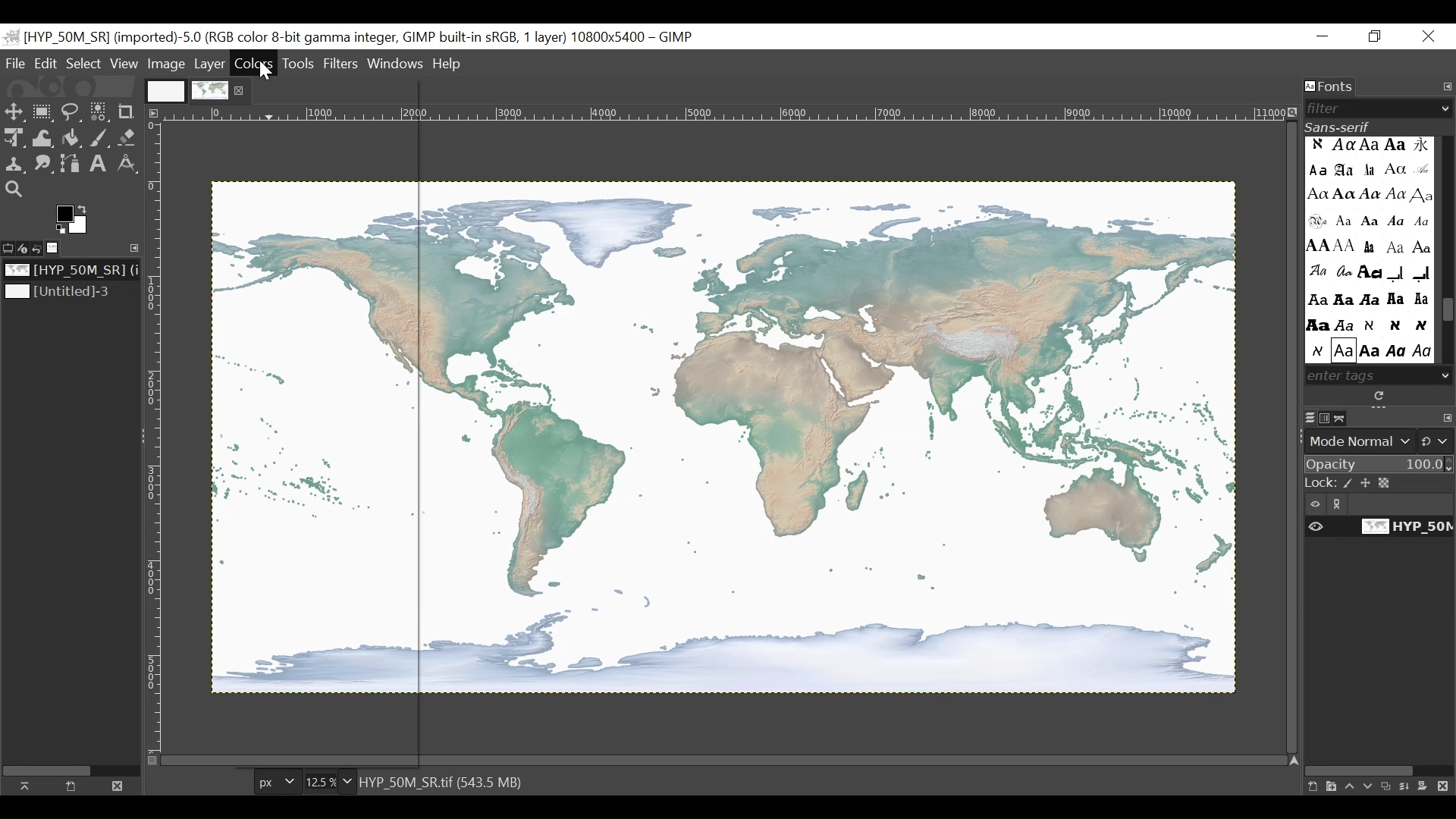  What do you see at coordinates (47, 64) in the screenshot?
I see `Edit` at bounding box center [47, 64].